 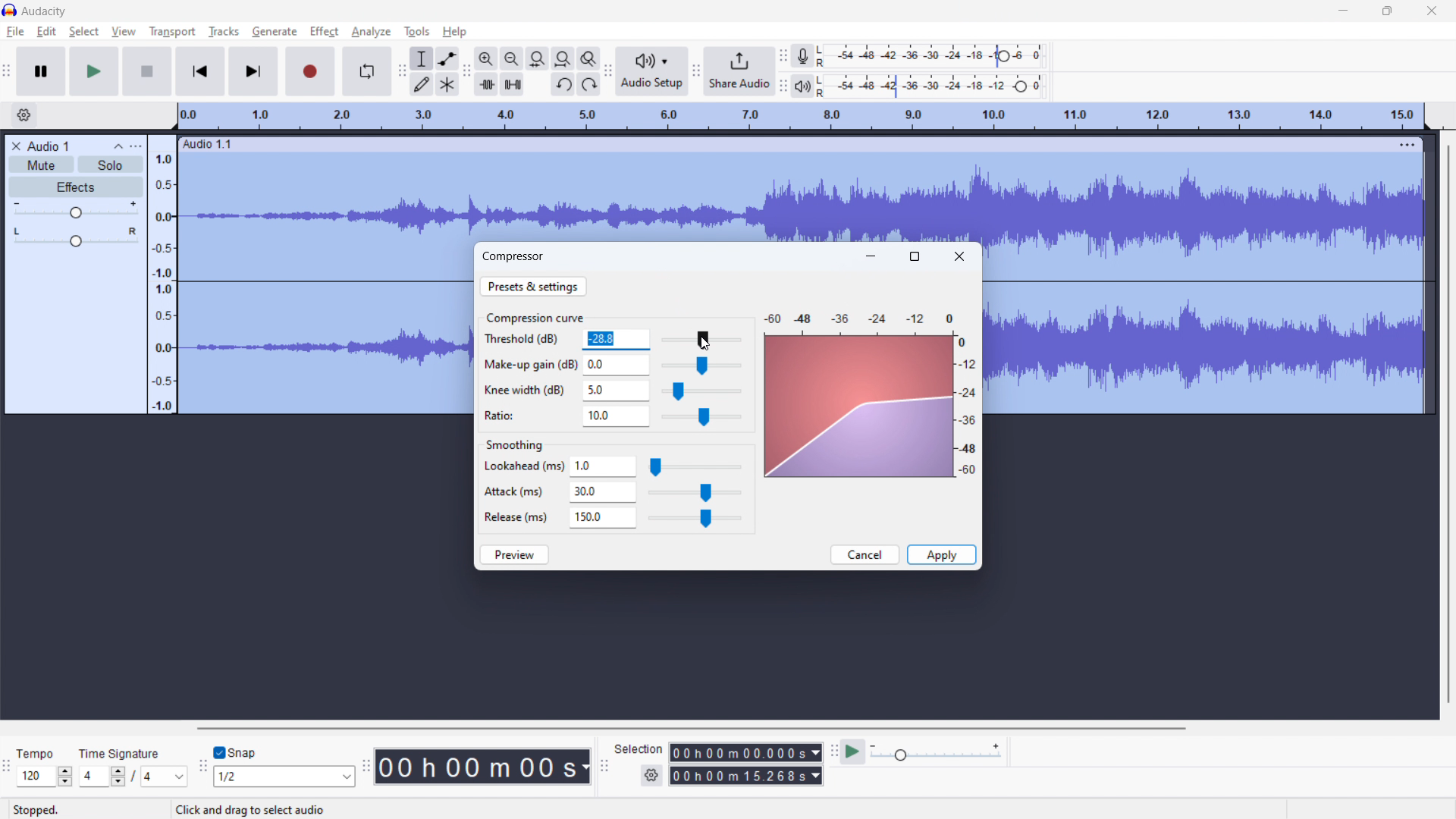 What do you see at coordinates (46, 808) in the screenshot?
I see `Stopped` at bounding box center [46, 808].